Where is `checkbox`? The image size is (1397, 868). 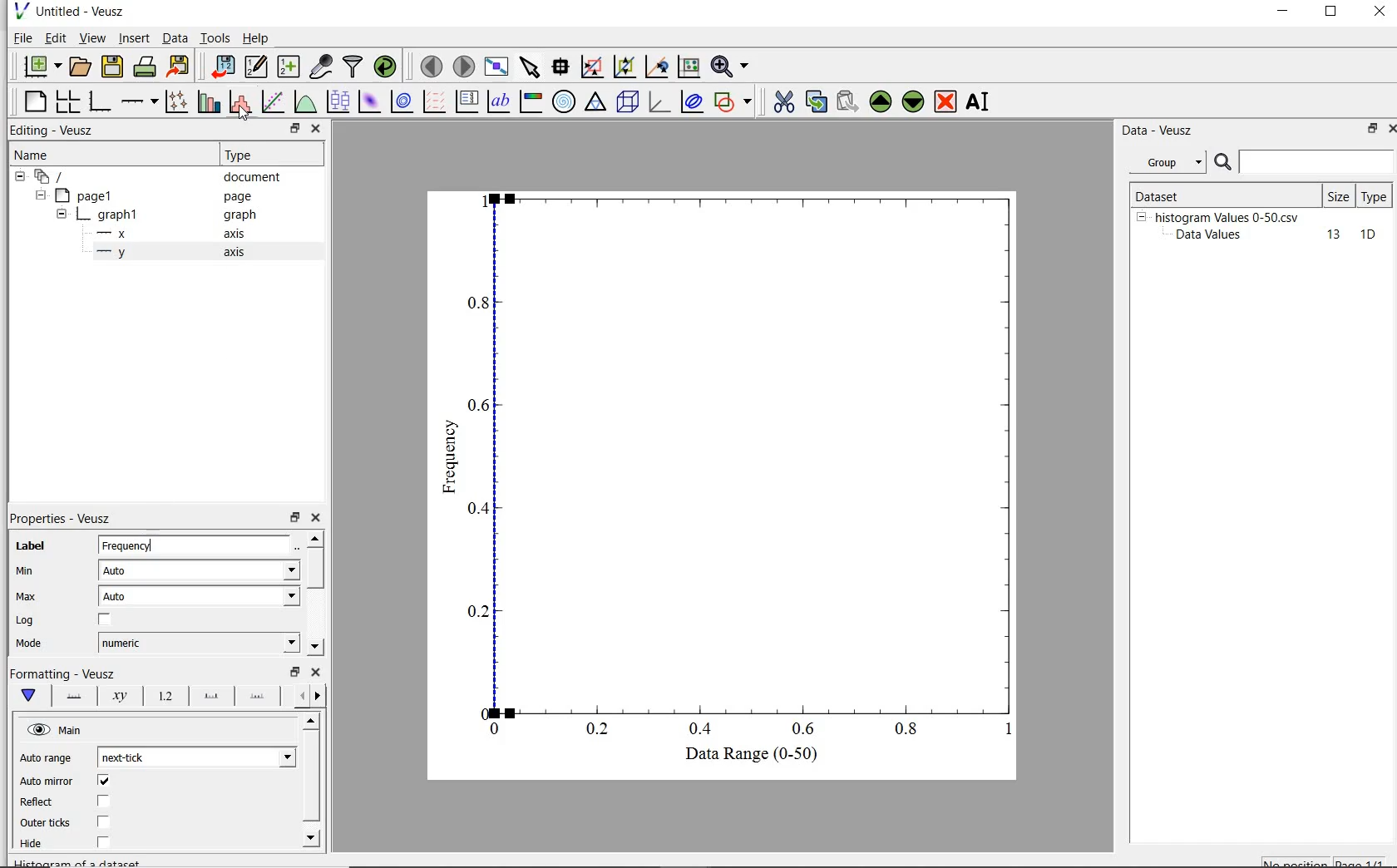
checkbox is located at coordinates (104, 782).